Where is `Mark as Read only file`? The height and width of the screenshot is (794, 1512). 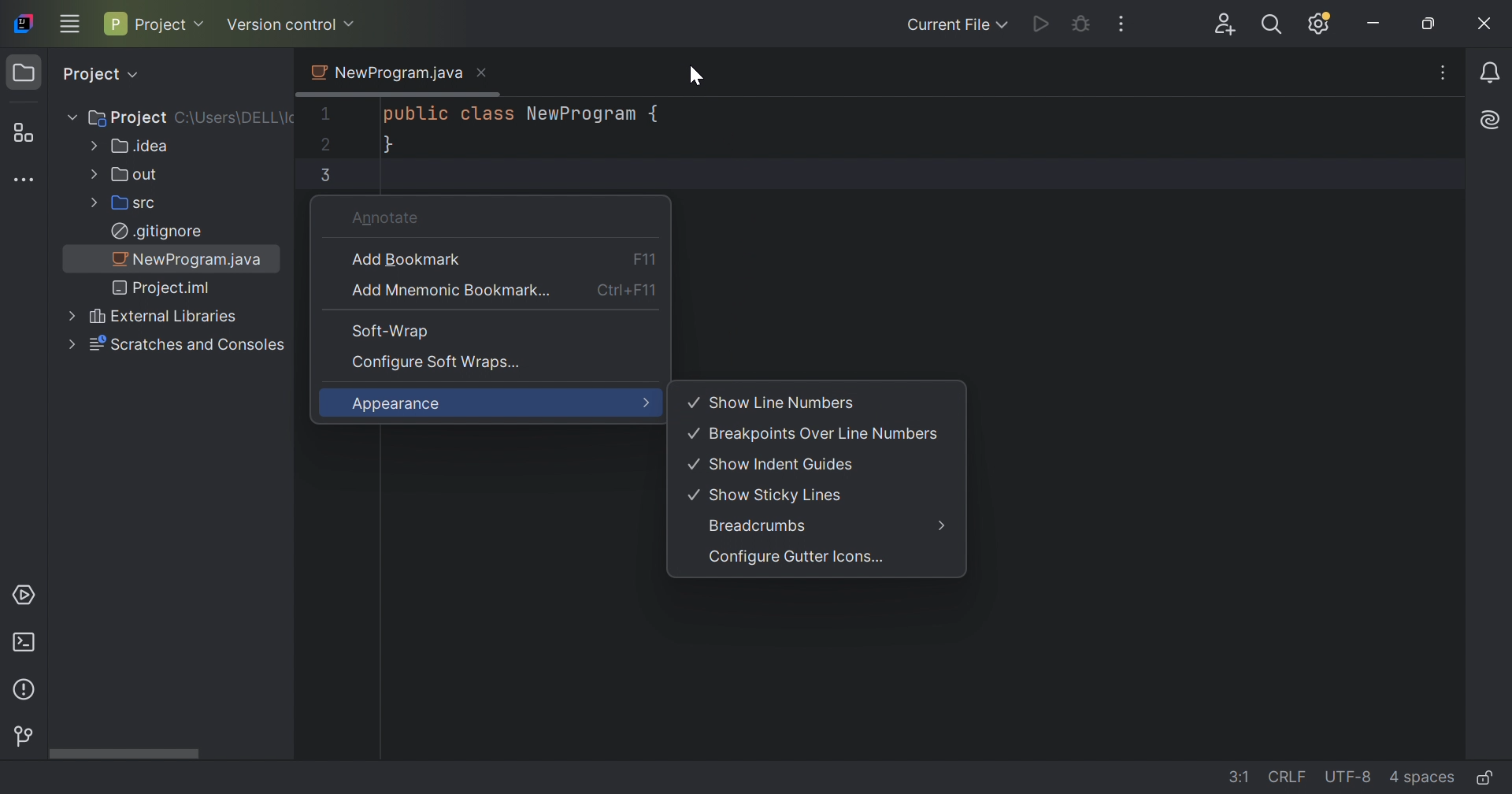 Mark as Read only file is located at coordinates (1486, 775).